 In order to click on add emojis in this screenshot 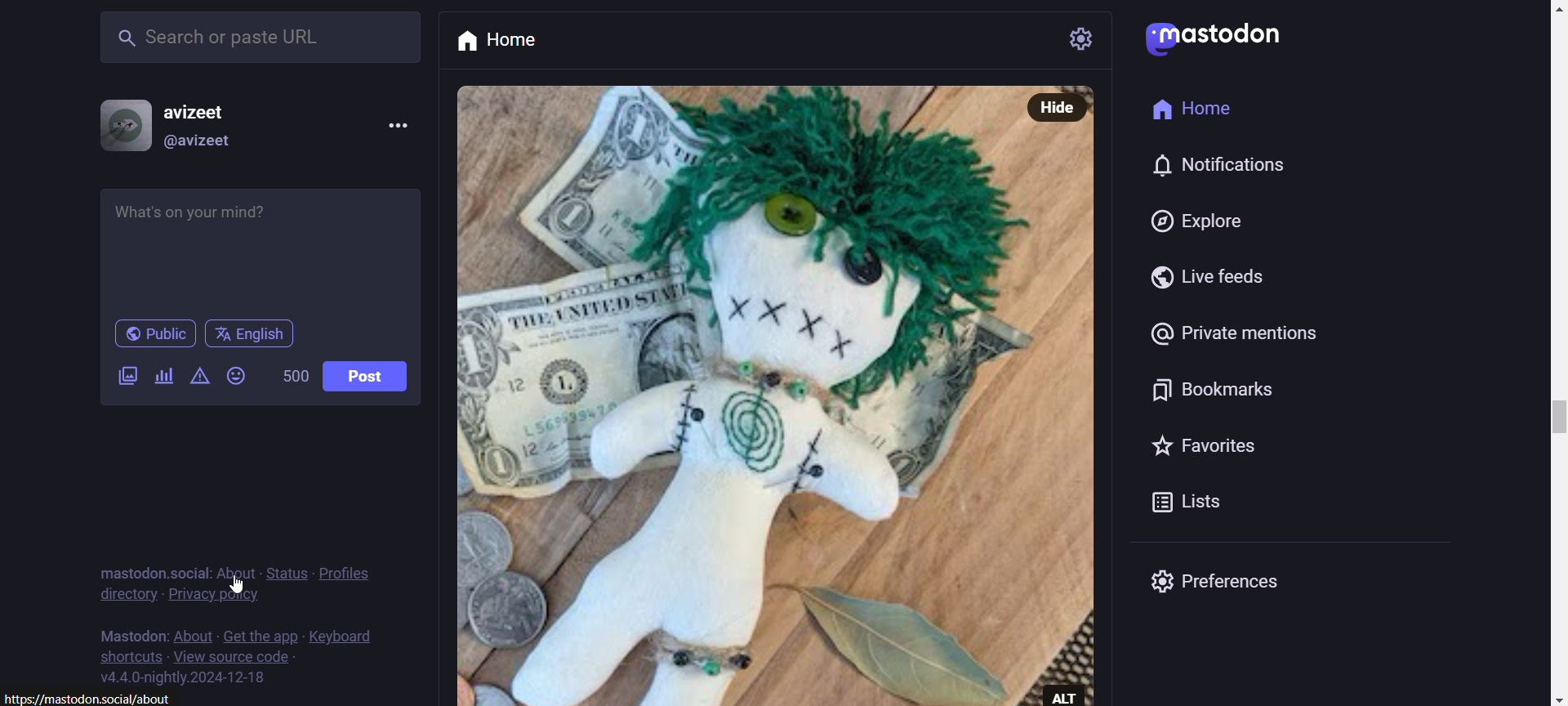, I will do `click(240, 375)`.